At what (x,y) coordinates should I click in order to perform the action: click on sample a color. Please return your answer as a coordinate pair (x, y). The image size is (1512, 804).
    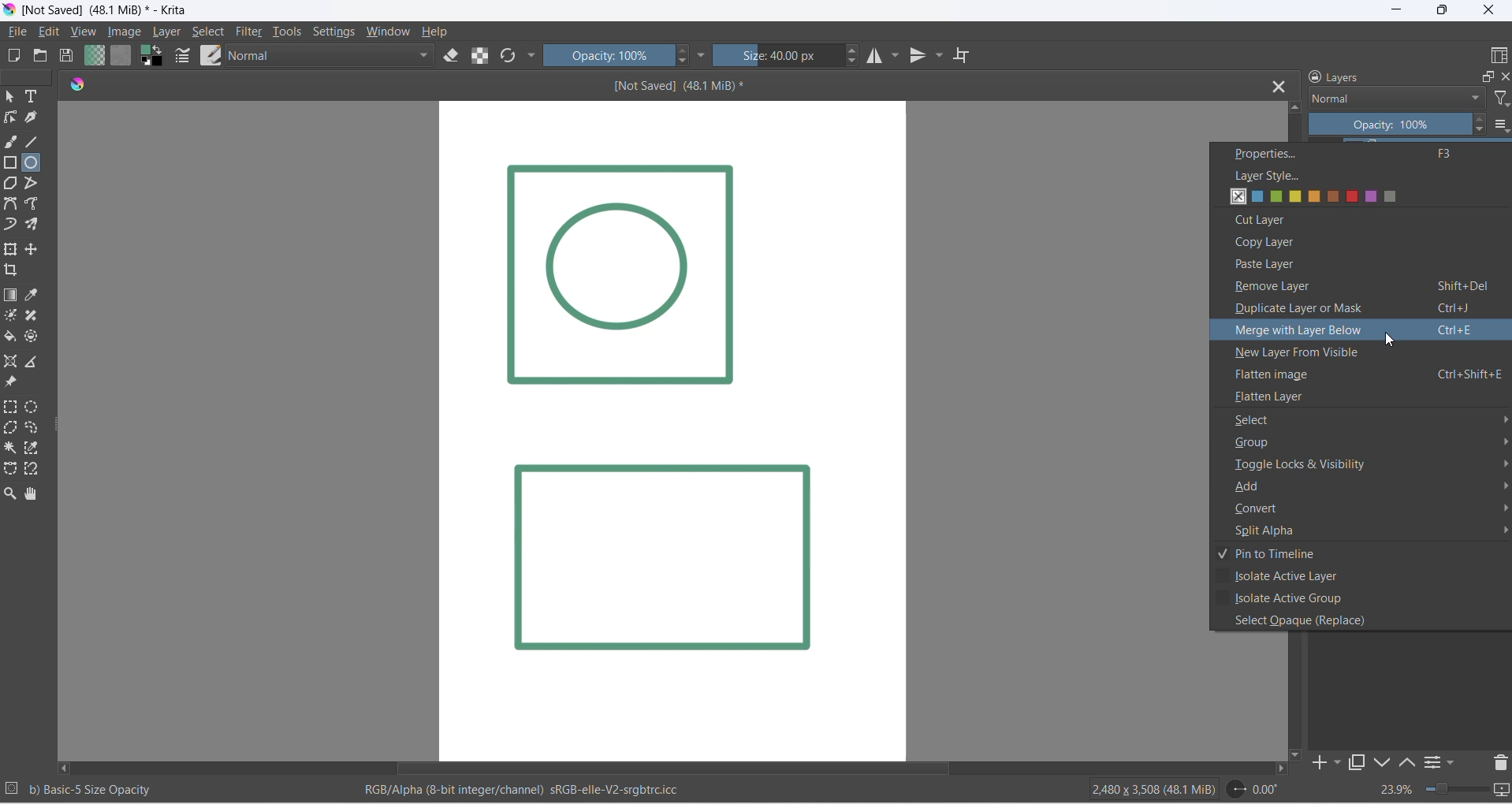
    Looking at the image, I should click on (39, 295).